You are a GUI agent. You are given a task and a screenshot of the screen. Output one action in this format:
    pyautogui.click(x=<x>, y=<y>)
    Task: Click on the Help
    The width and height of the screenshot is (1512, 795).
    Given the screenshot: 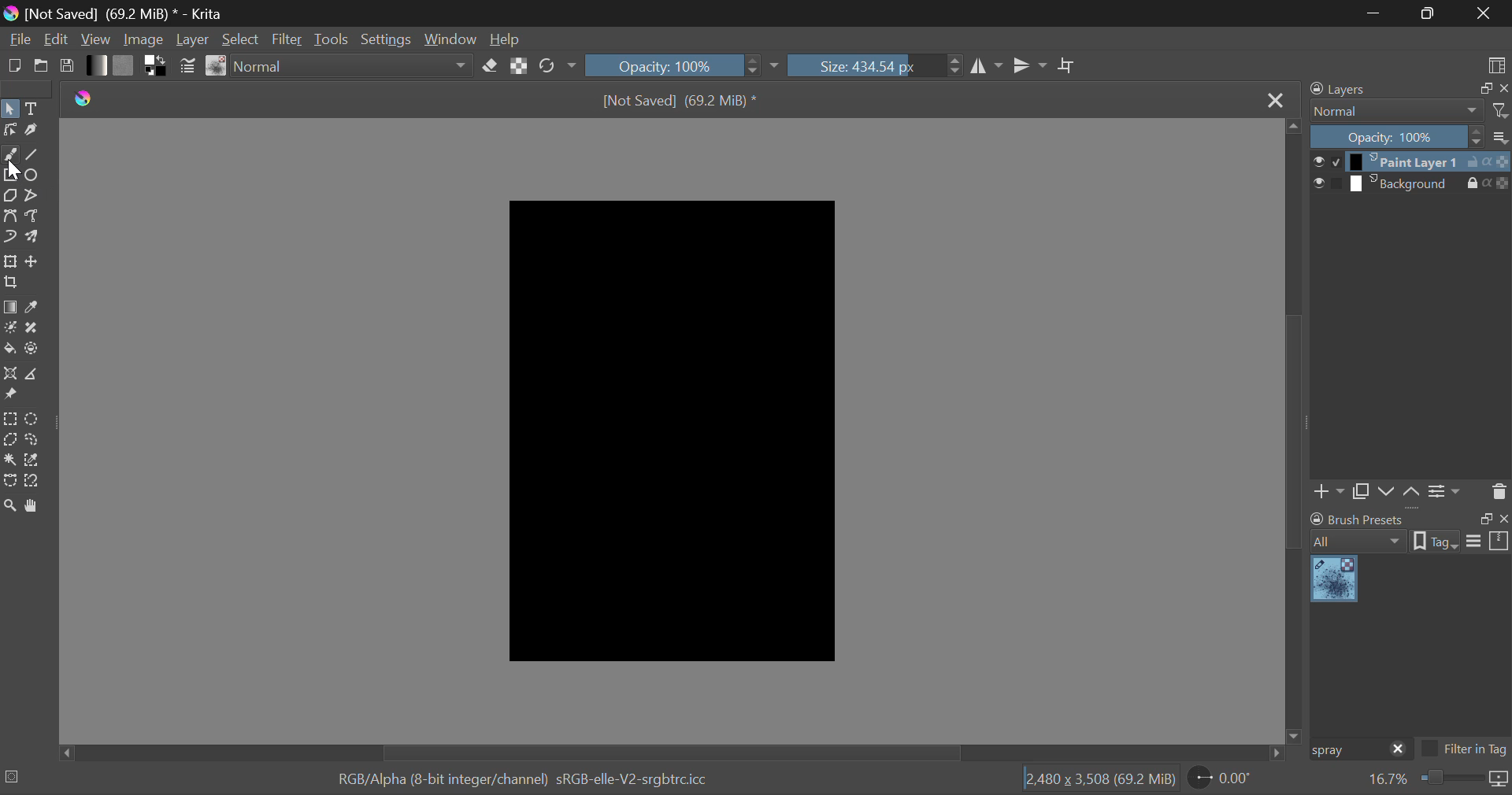 What is the action you would take?
    pyautogui.click(x=506, y=36)
    